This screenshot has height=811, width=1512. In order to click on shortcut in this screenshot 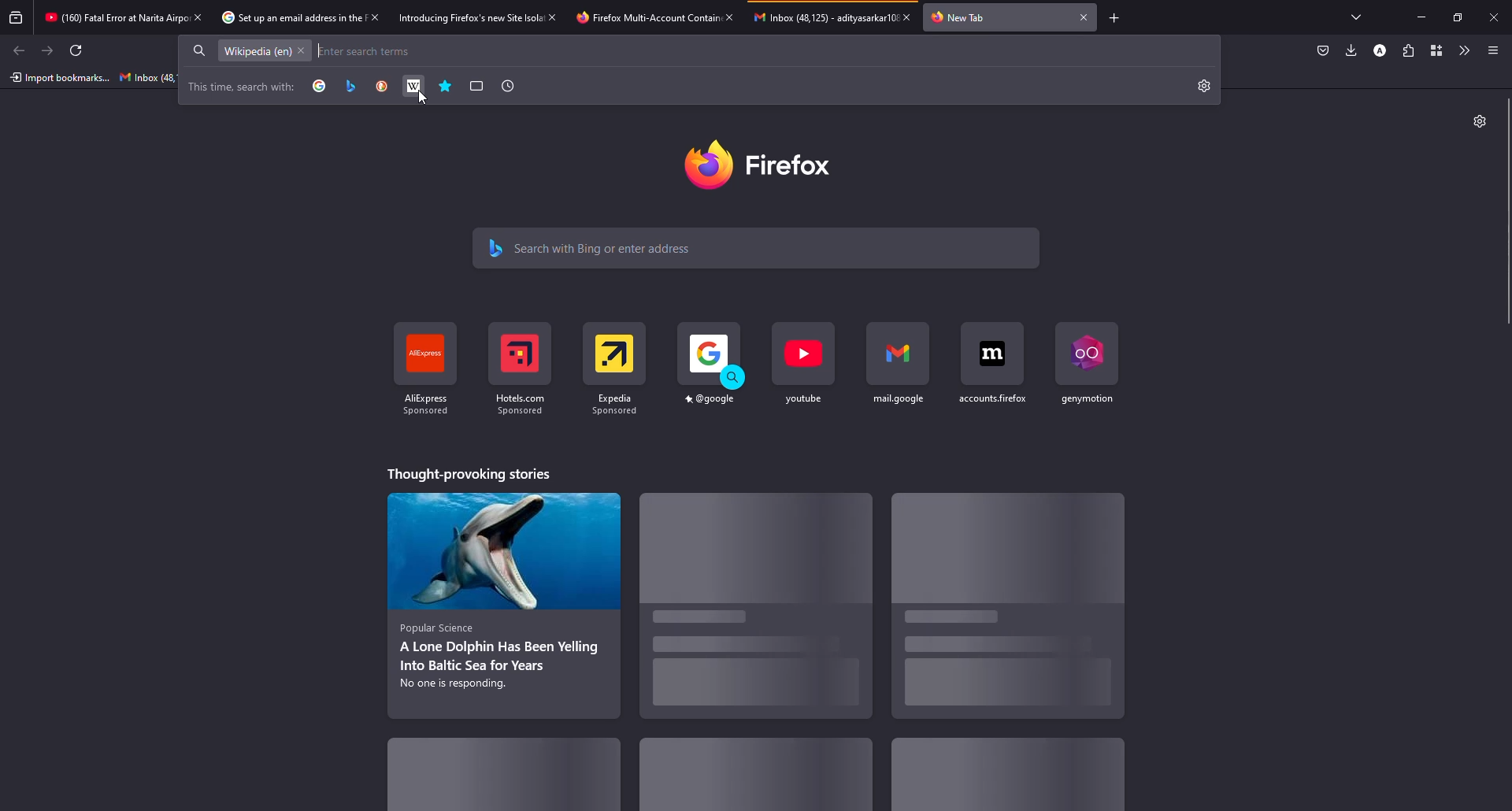, I will do `click(1084, 369)`.